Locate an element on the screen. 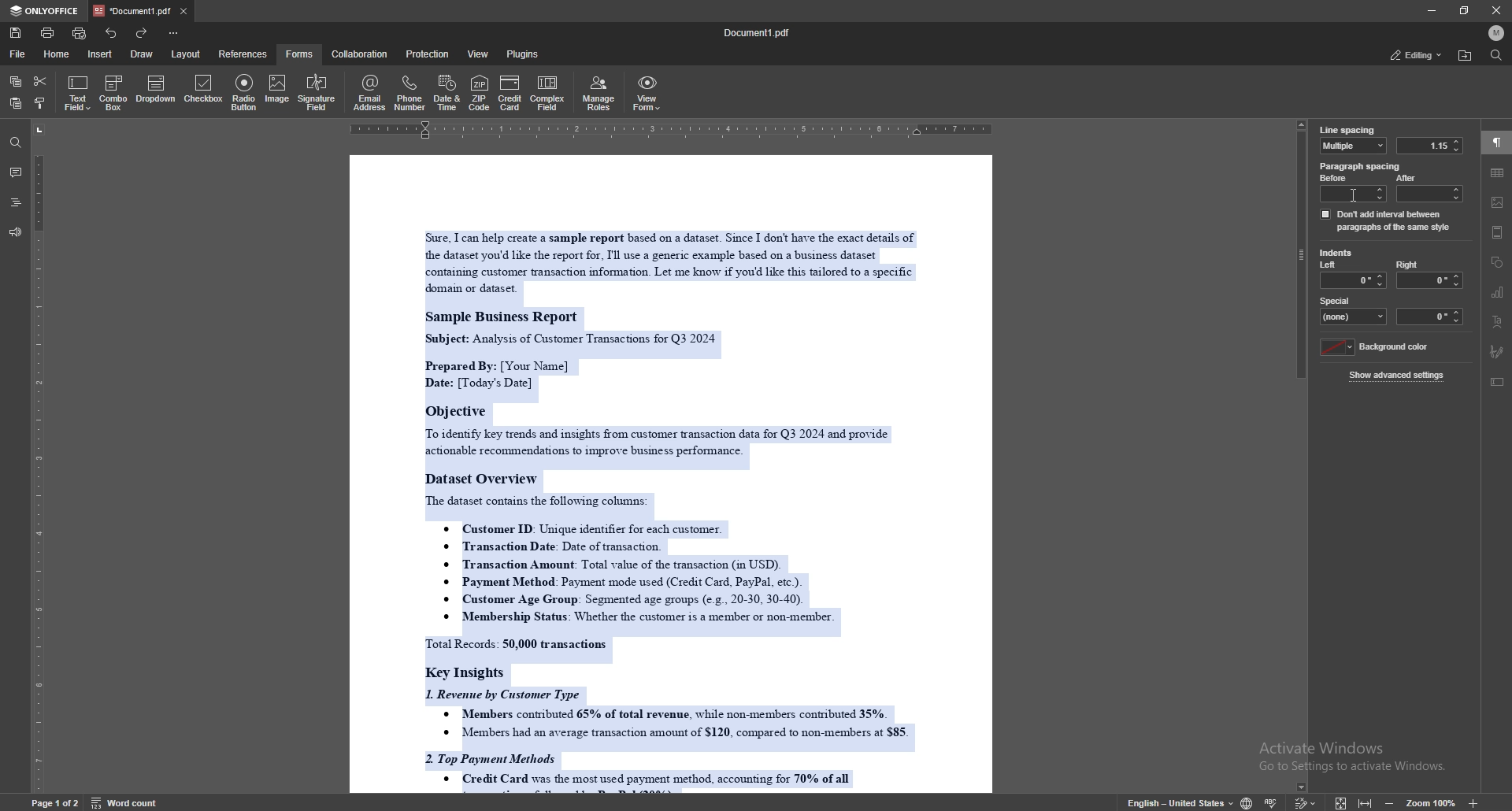 The image size is (1512, 811). credit card is located at coordinates (510, 92).